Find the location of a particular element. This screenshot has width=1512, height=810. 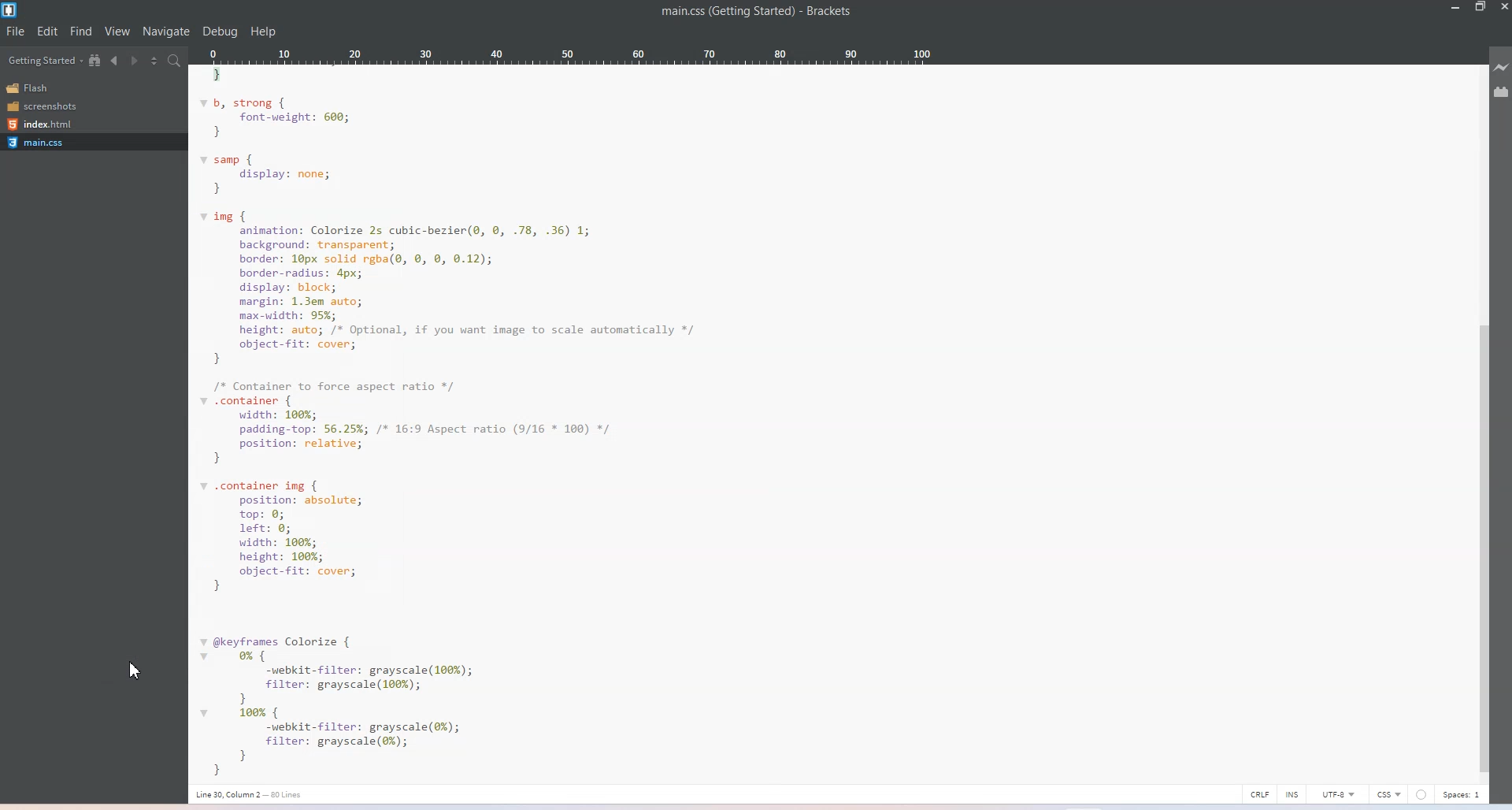

Getting started is located at coordinates (45, 60).